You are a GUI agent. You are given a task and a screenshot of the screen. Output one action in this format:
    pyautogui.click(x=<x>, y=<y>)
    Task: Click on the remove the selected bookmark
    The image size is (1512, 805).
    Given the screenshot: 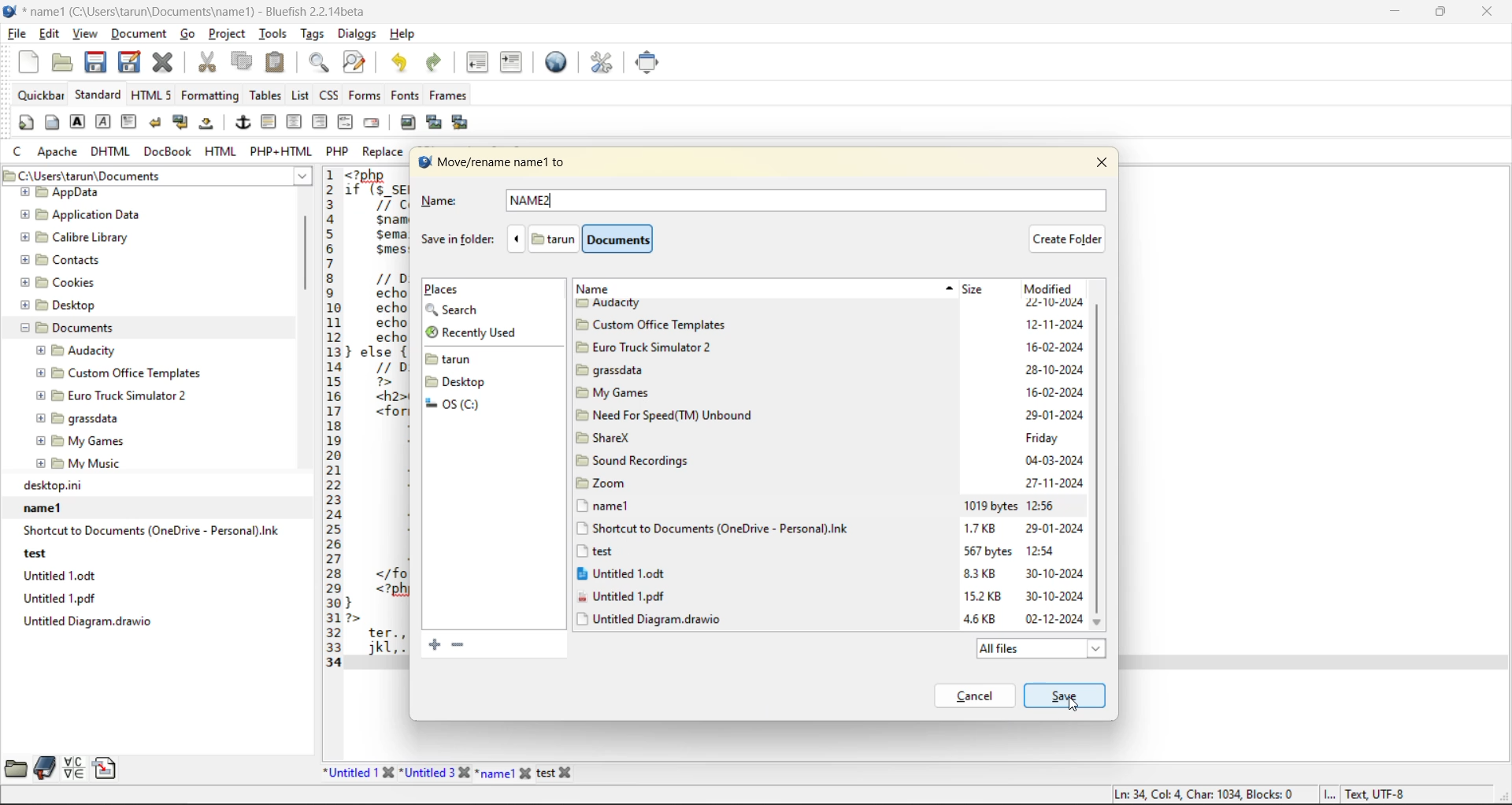 What is the action you would take?
    pyautogui.click(x=457, y=643)
    